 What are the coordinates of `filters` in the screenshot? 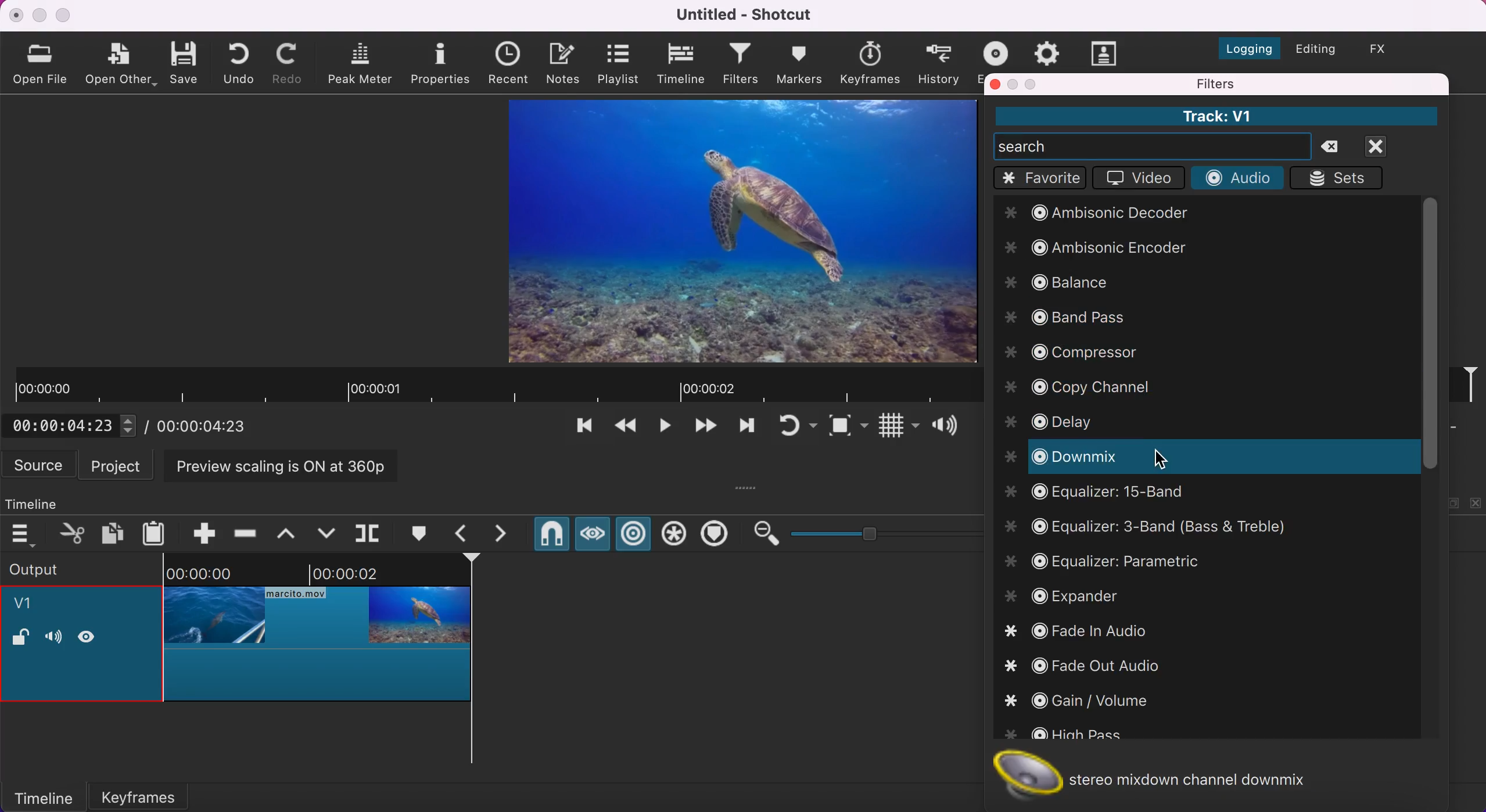 It's located at (742, 65).